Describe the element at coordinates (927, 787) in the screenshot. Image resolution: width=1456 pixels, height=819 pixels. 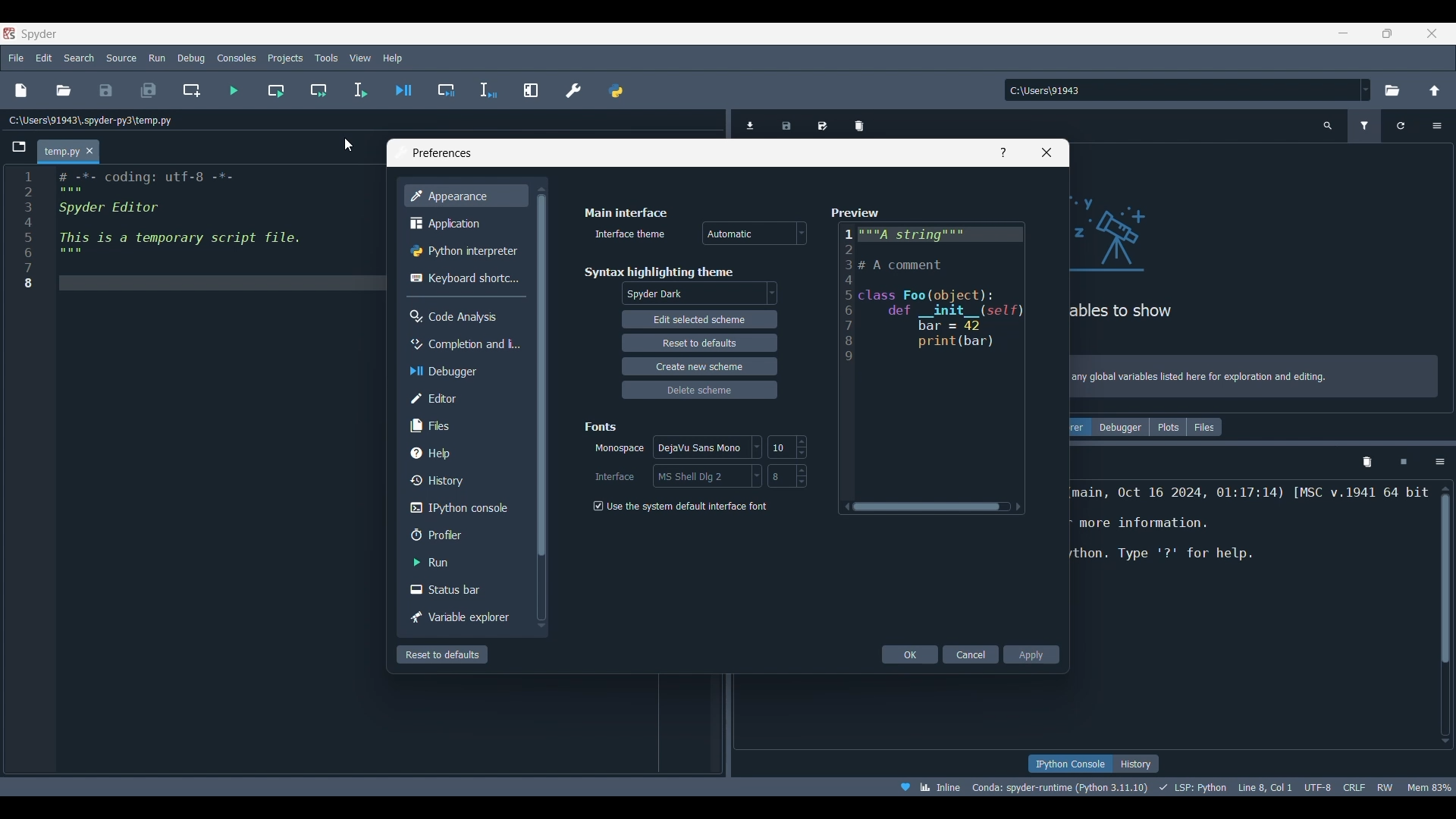
I see `Inline` at that location.